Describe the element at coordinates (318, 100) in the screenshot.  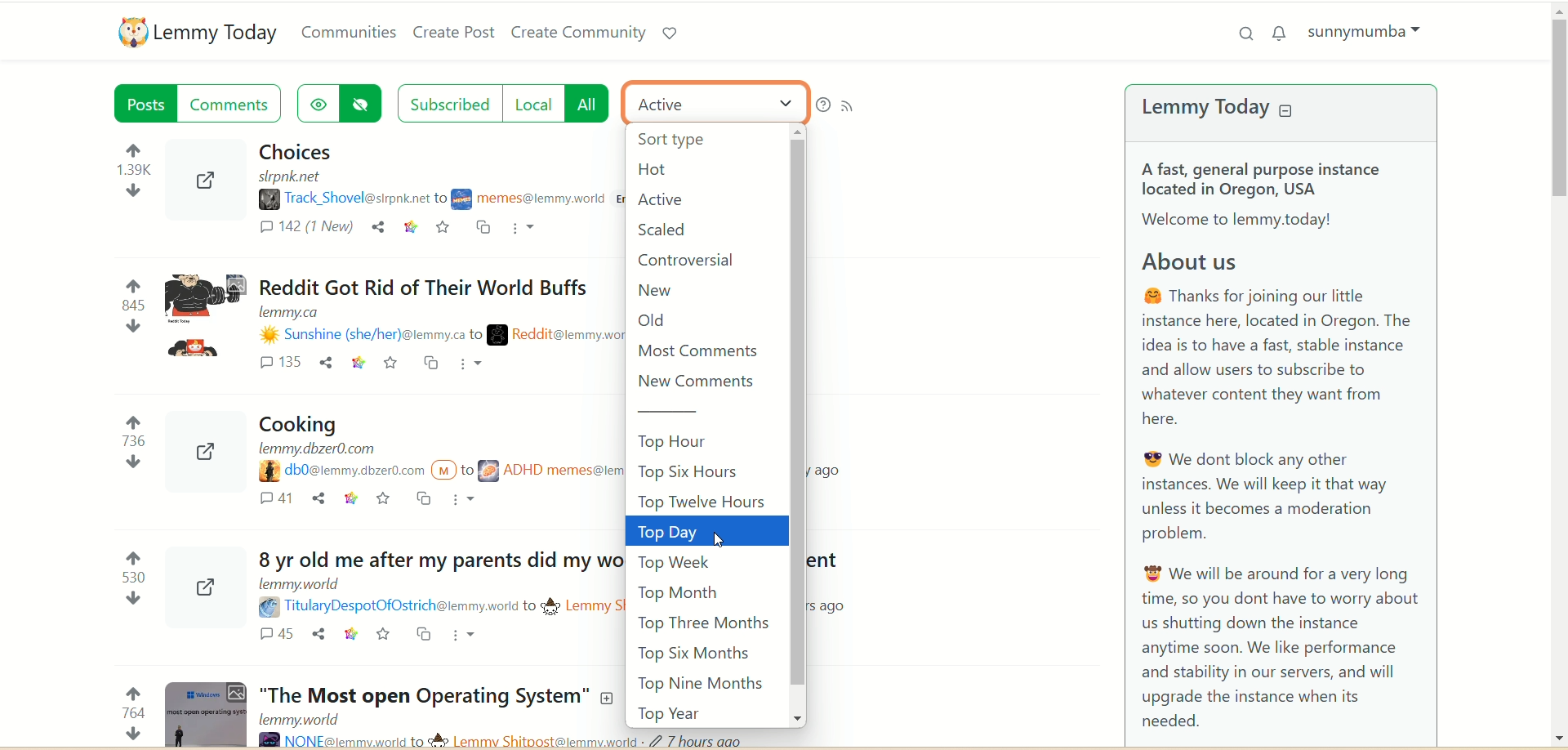
I see `show hidden posts` at that location.